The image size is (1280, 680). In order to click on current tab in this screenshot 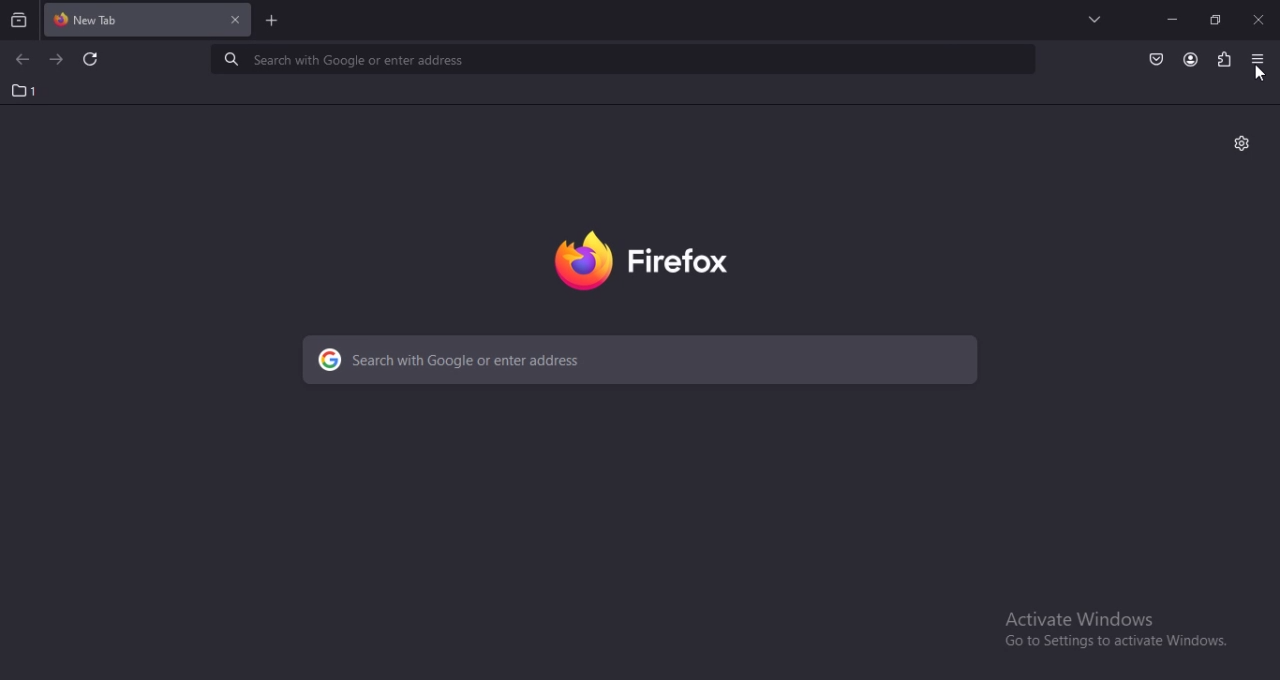, I will do `click(96, 21)`.